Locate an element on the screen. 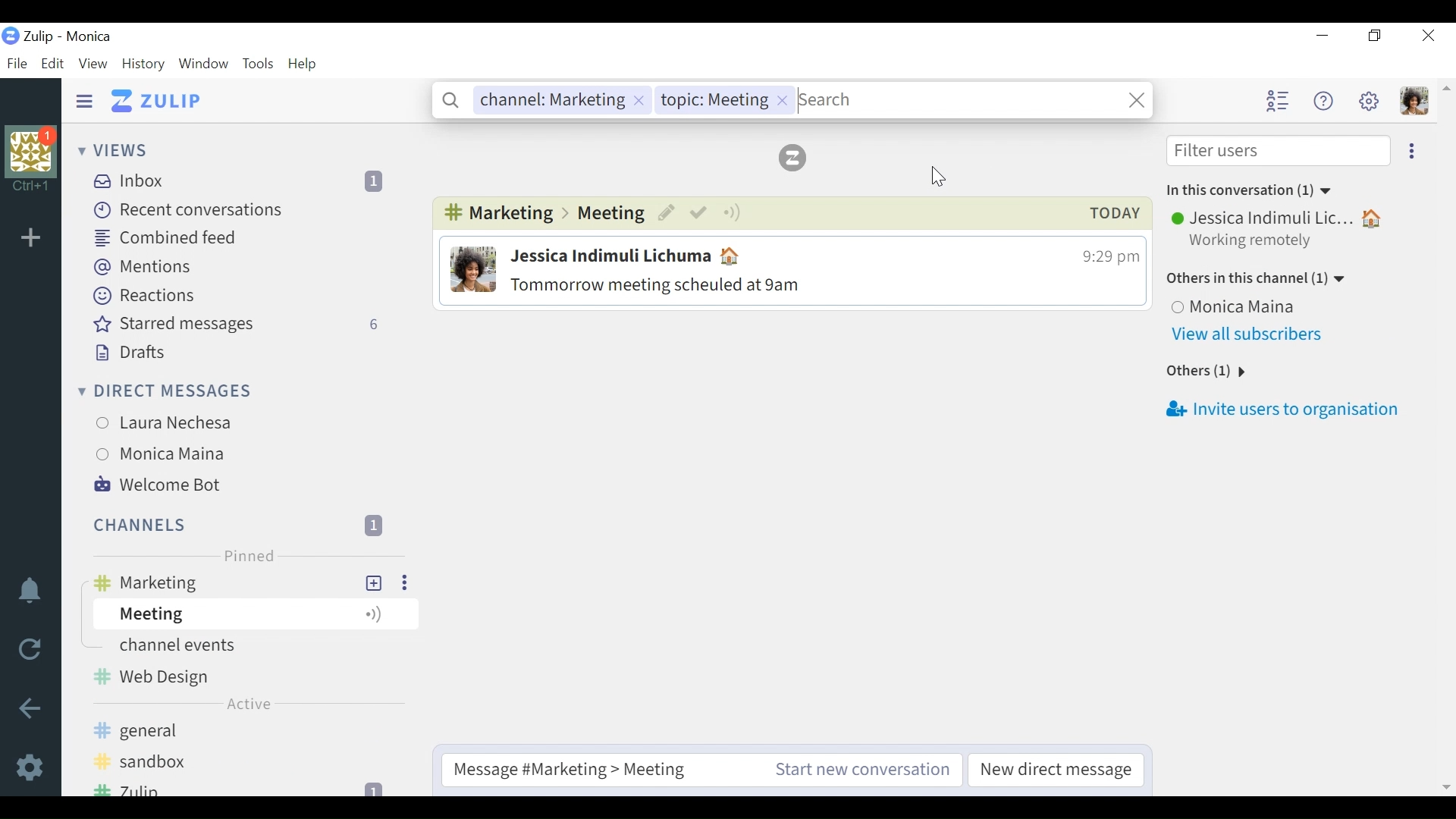  Starred messages is located at coordinates (243, 325).